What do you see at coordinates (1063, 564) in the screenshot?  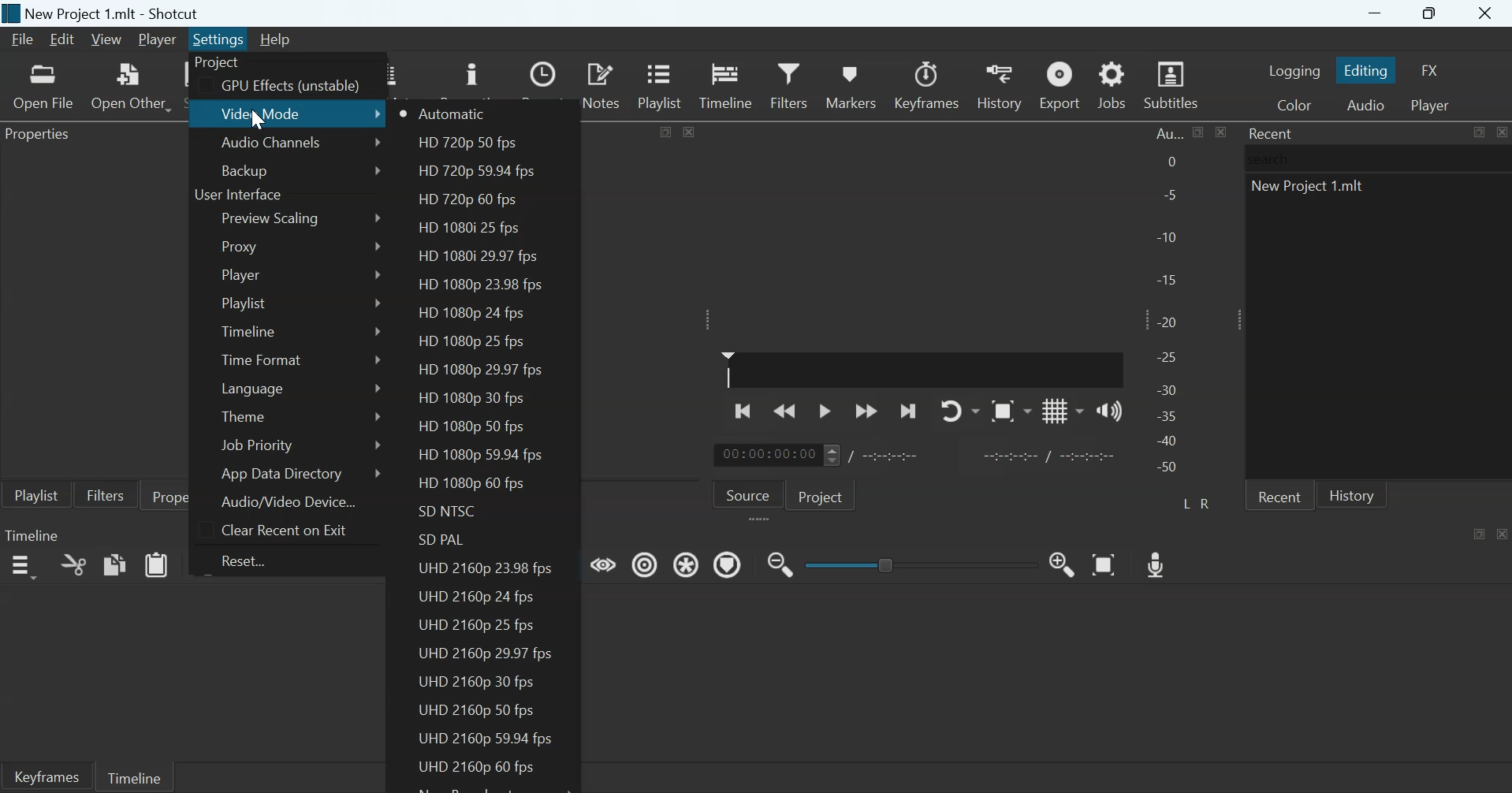 I see `Zoom timeline out` at bounding box center [1063, 564].